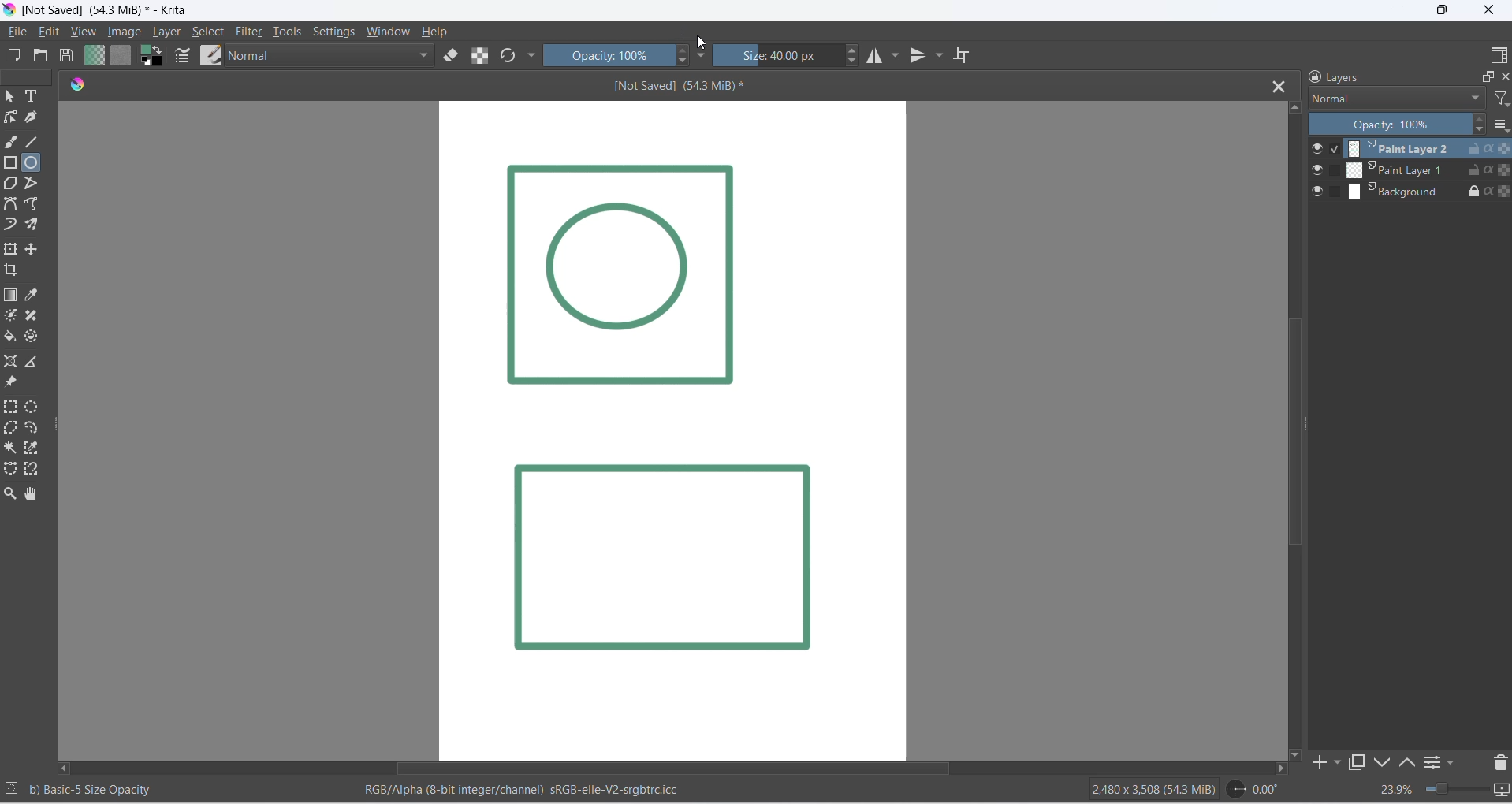 The height and width of the screenshot is (804, 1512). I want to click on icon, so click(72, 87).